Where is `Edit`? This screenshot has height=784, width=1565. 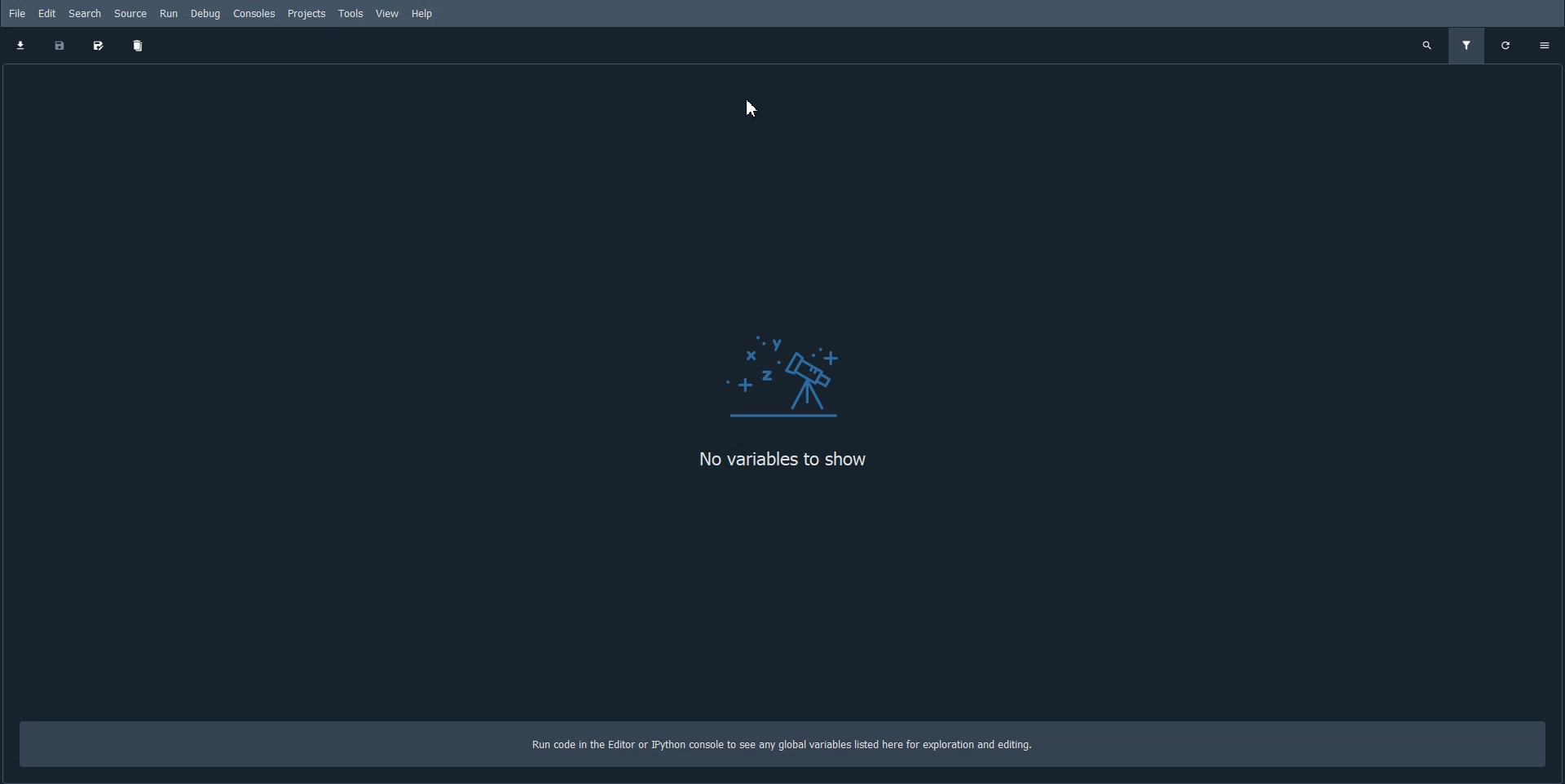 Edit is located at coordinates (48, 13).